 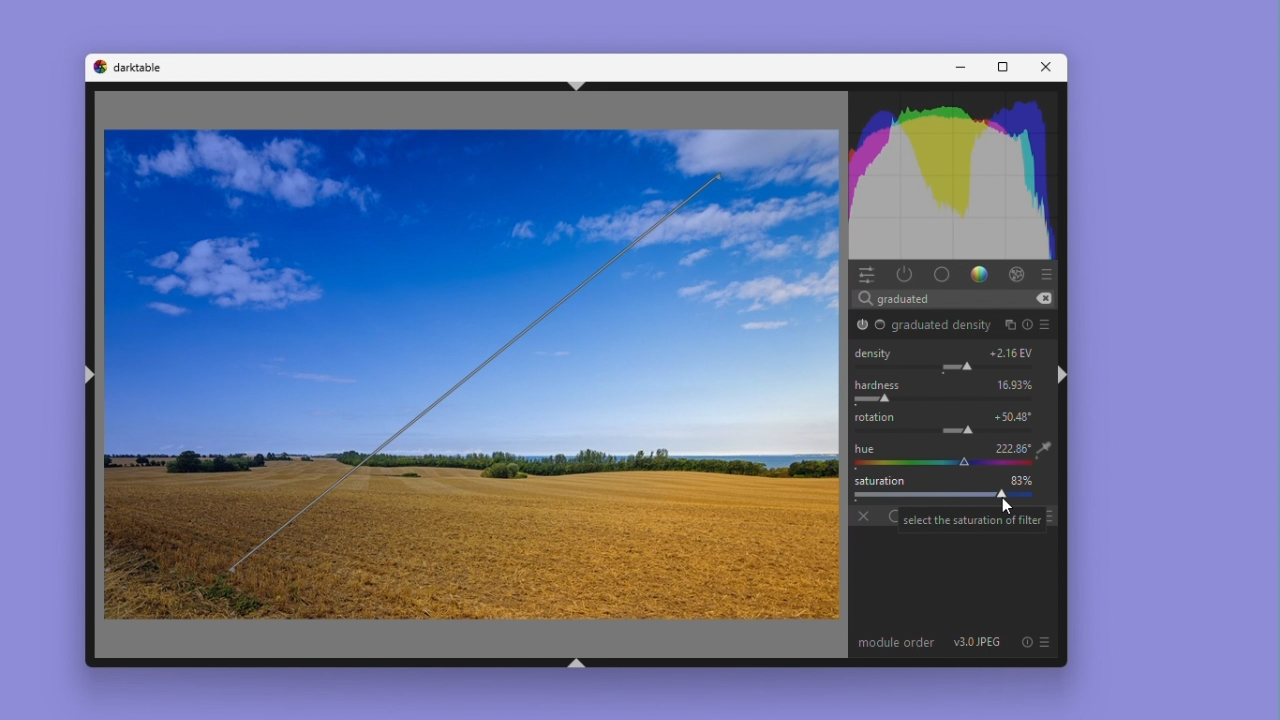 What do you see at coordinates (98, 67) in the screenshot?
I see `darktable logo` at bounding box center [98, 67].